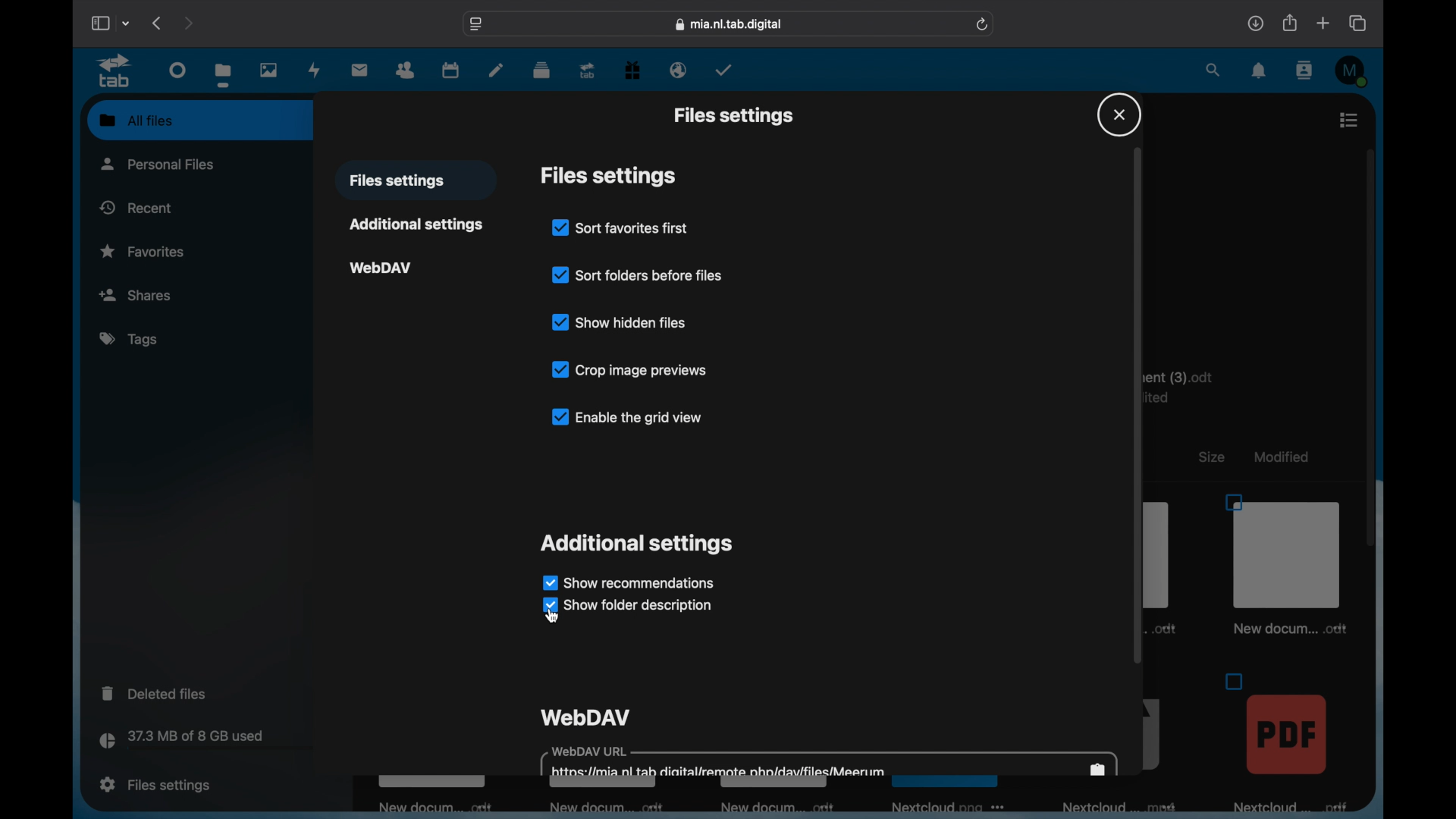  What do you see at coordinates (733, 115) in the screenshot?
I see `files settings` at bounding box center [733, 115].